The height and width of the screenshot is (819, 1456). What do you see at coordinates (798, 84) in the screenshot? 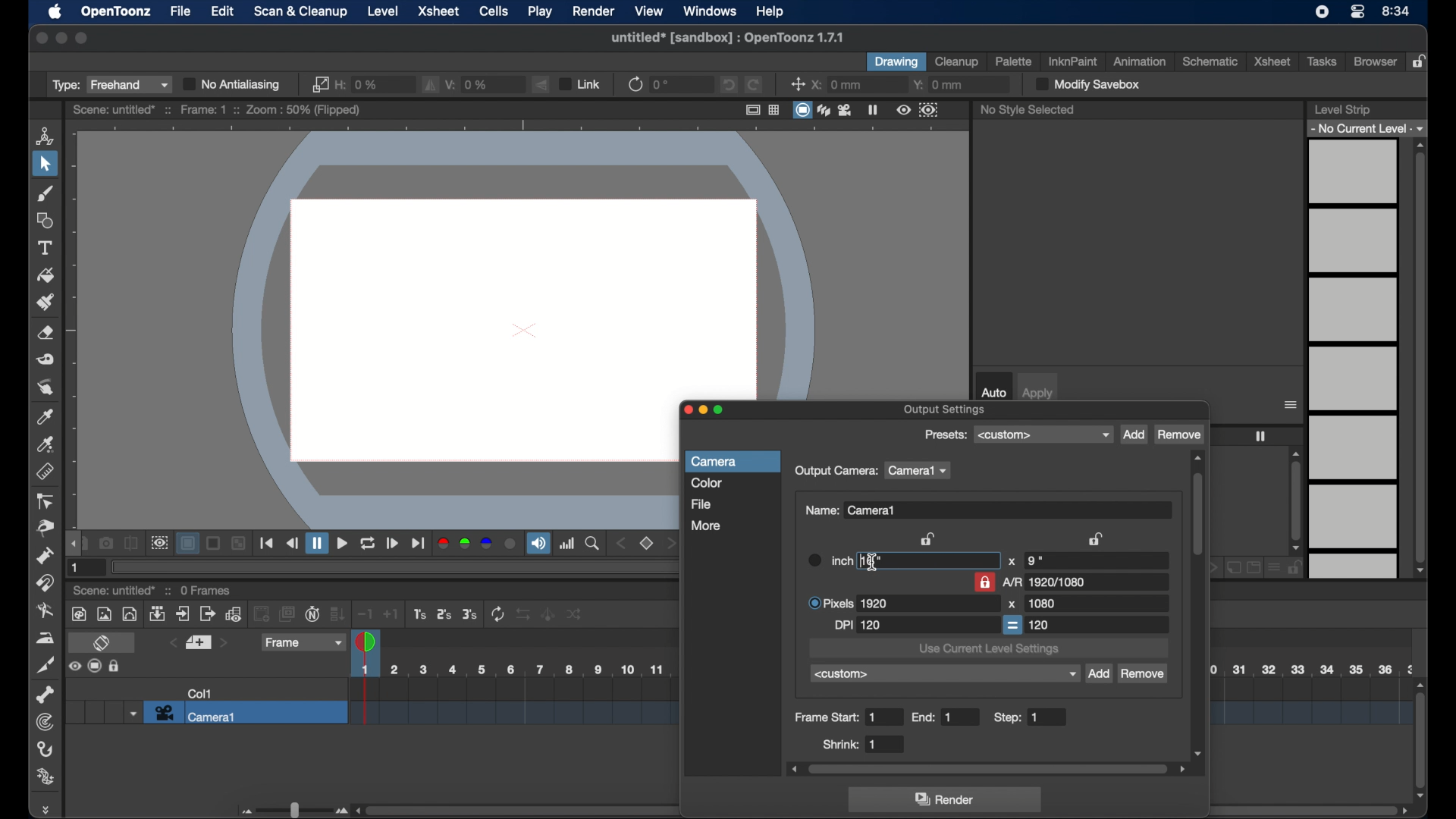
I see `center` at bounding box center [798, 84].